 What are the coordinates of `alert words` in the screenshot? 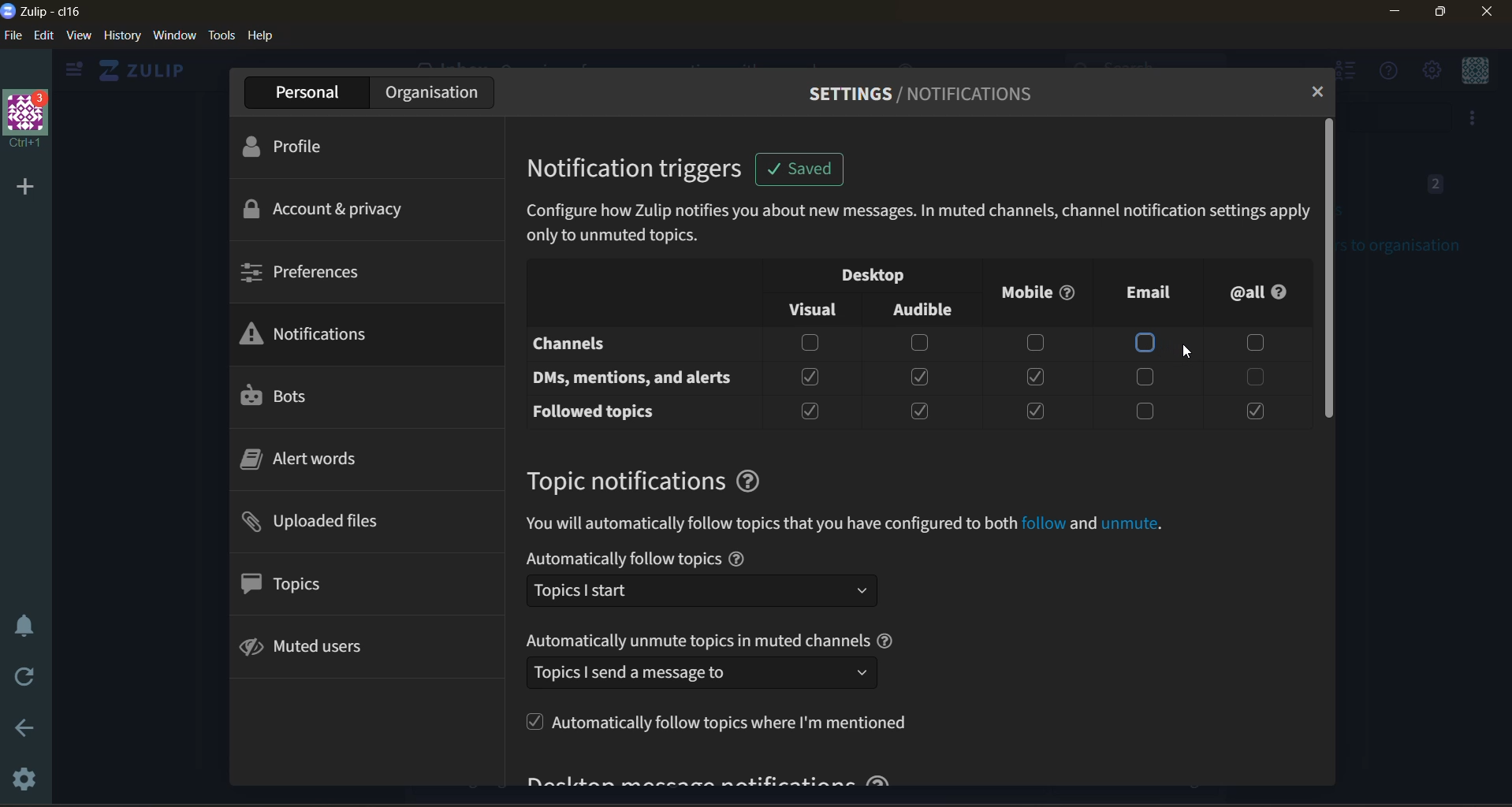 It's located at (309, 460).